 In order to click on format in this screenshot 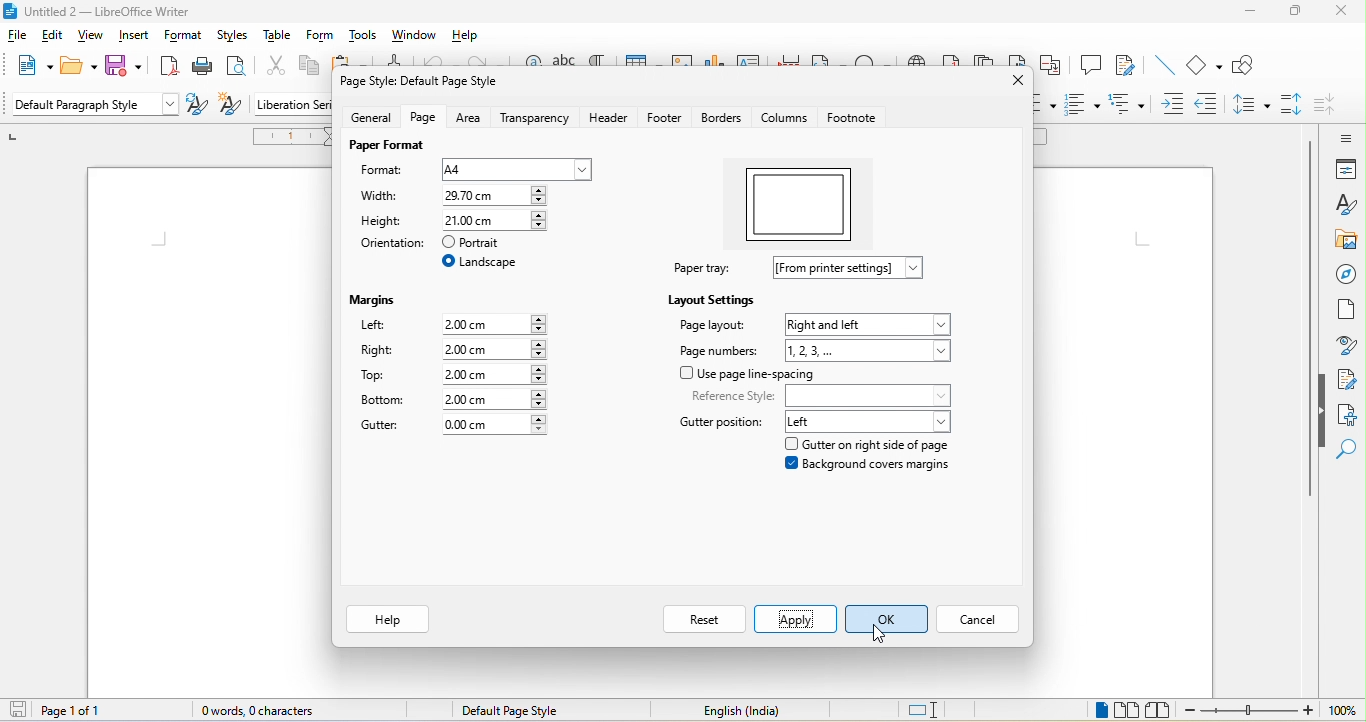, I will do `click(383, 171)`.